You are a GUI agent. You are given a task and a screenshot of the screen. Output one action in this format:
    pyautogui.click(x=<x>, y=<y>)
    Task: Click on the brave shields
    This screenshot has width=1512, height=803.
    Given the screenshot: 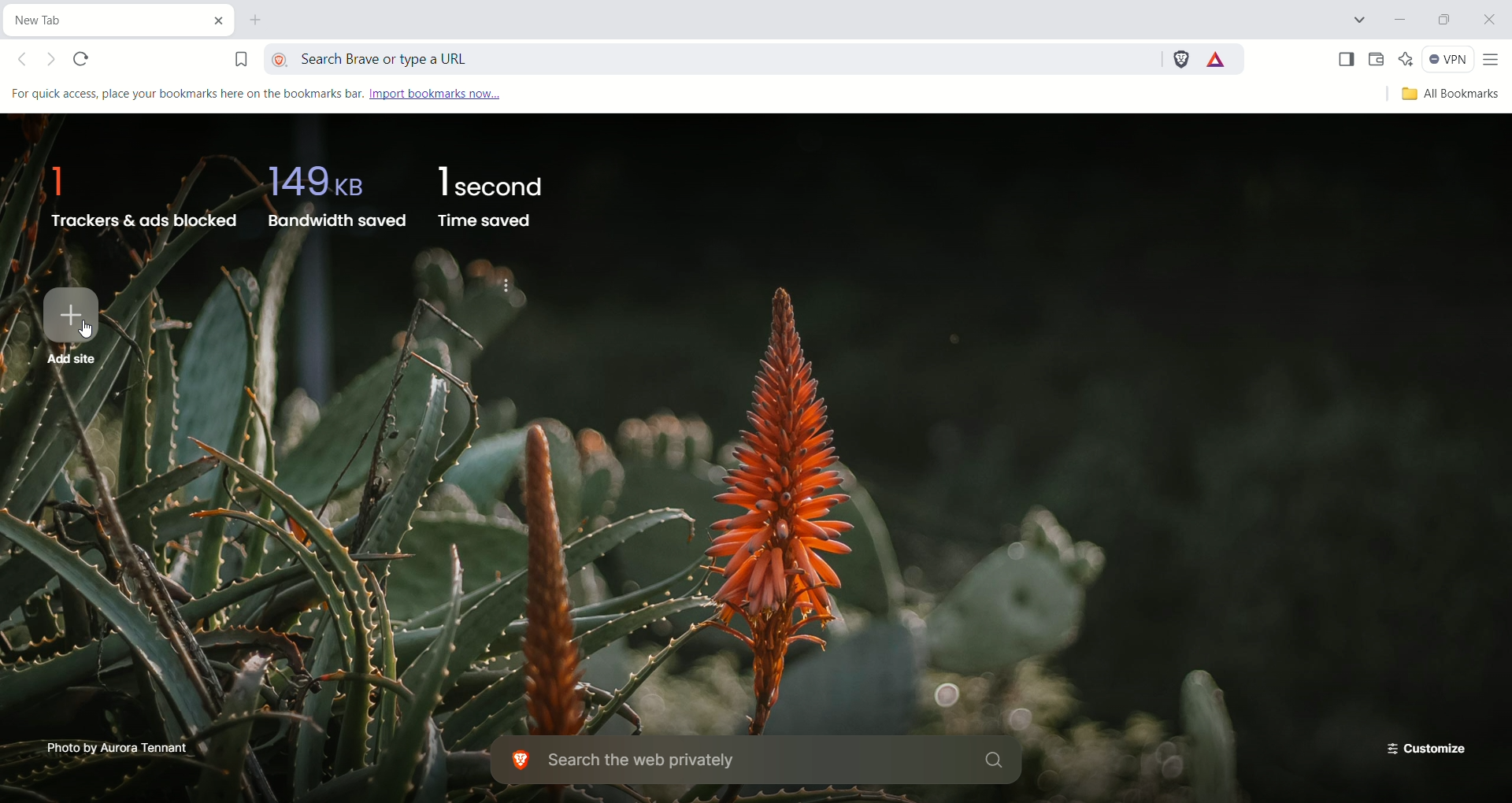 What is the action you would take?
    pyautogui.click(x=1180, y=57)
    